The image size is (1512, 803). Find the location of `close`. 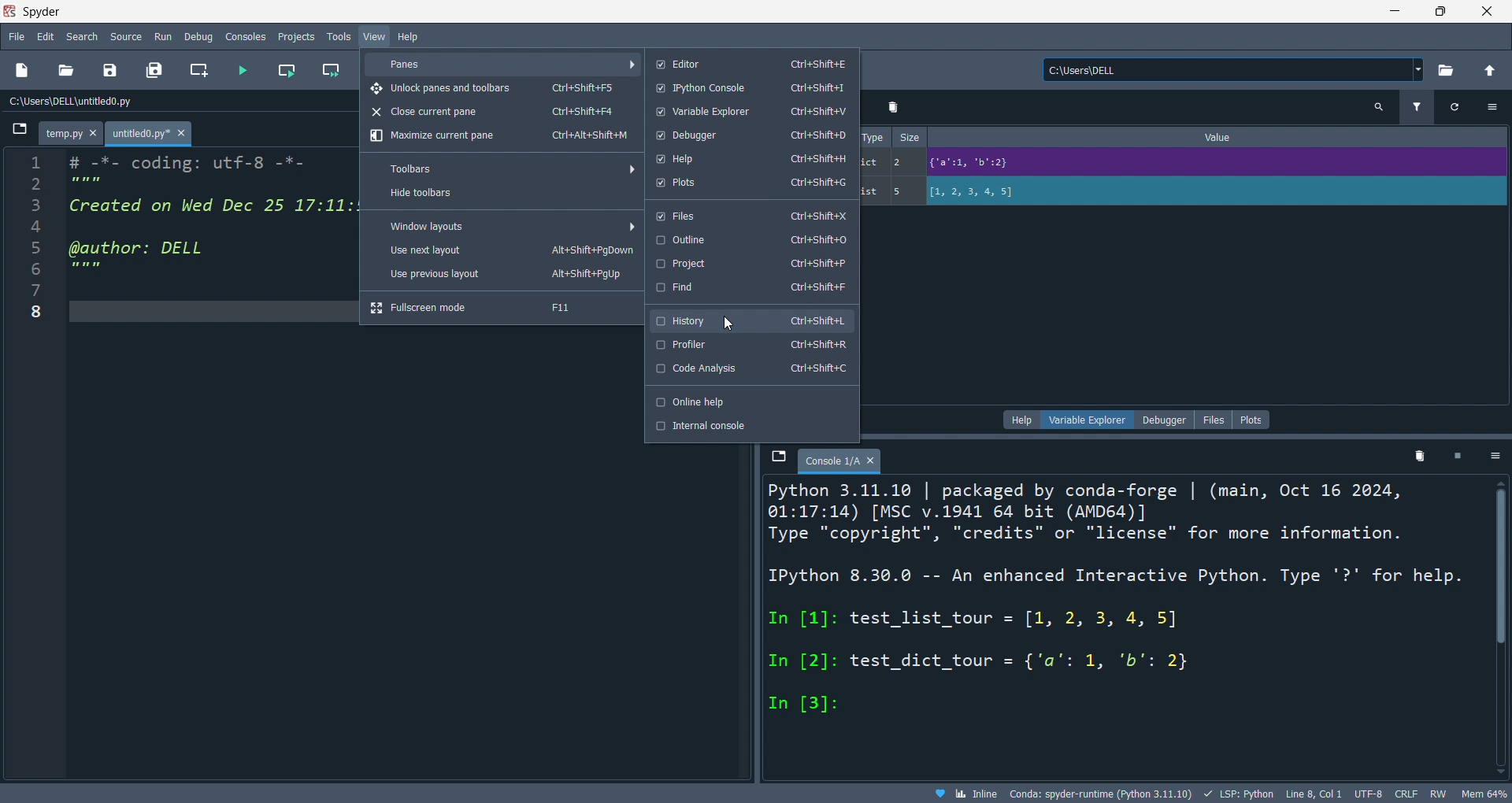

close is located at coordinates (1488, 11).